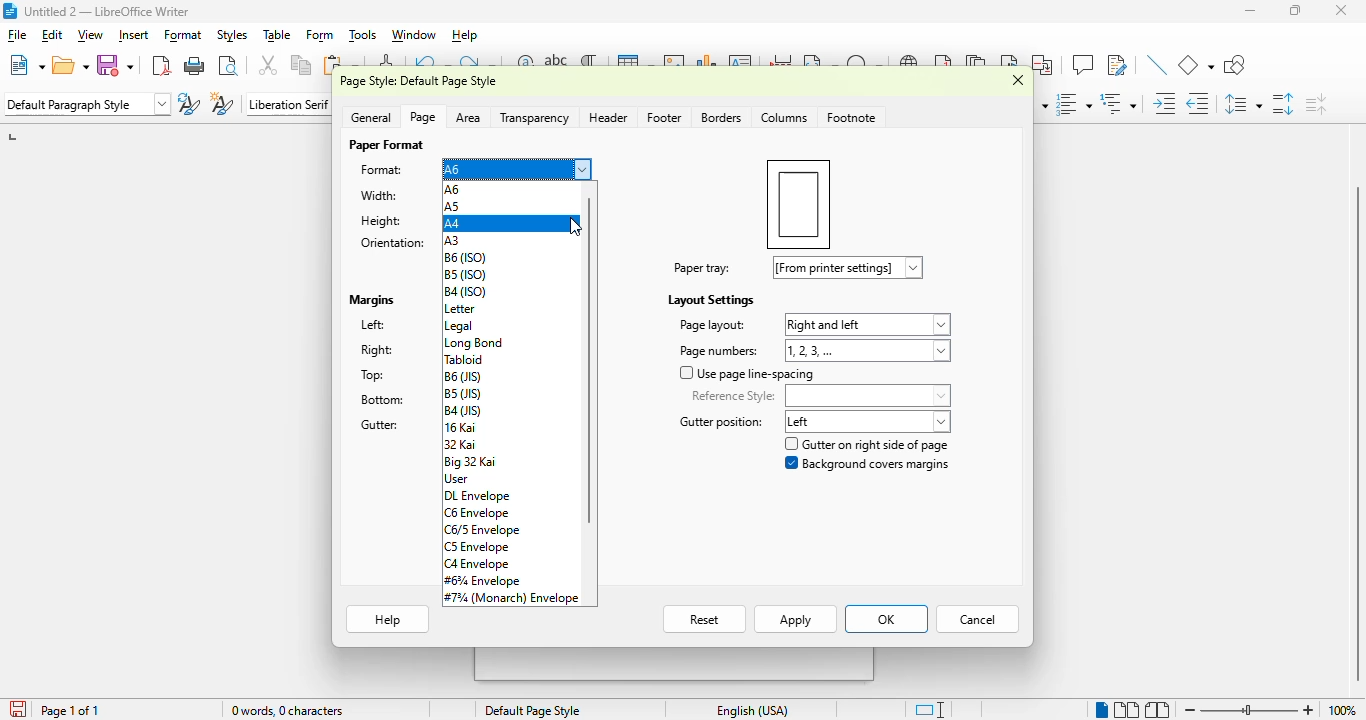 The width and height of the screenshot is (1366, 720). I want to click on layout settings, so click(710, 300).